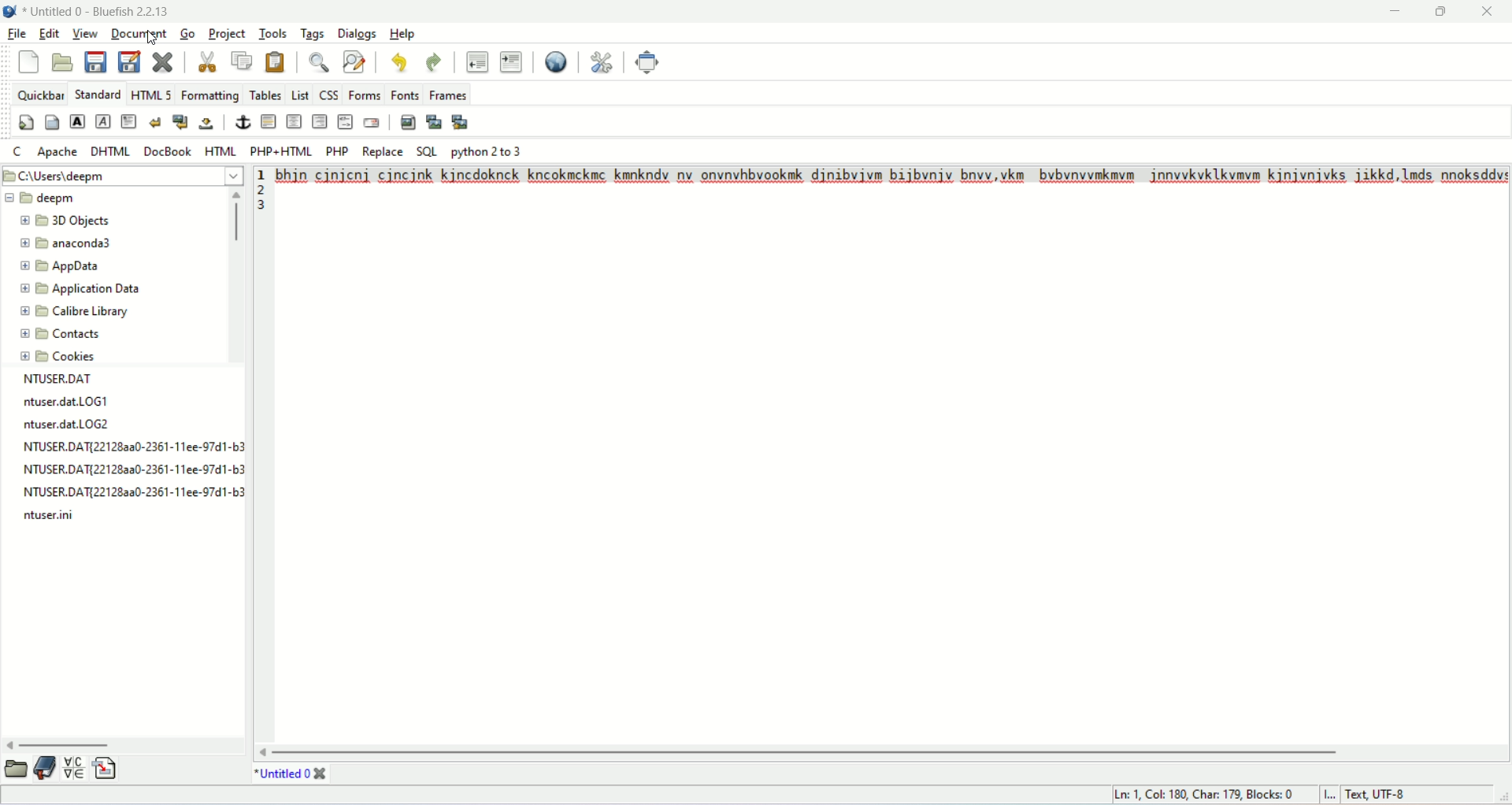 The width and height of the screenshot is (1512, 805). Describe the element at coordinates (153, 95) in the screenshot. I see `HTML 5` at that location.